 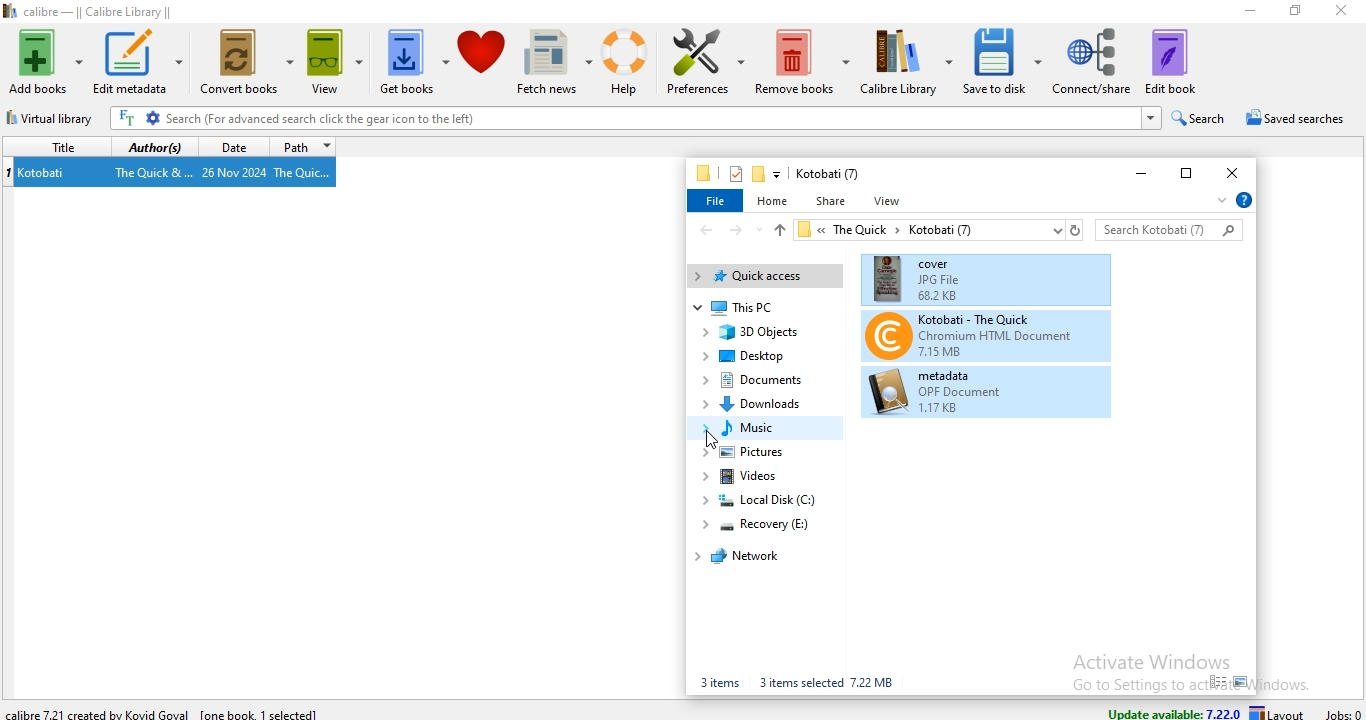 I want to click on help, so click(x=1243, y=200).